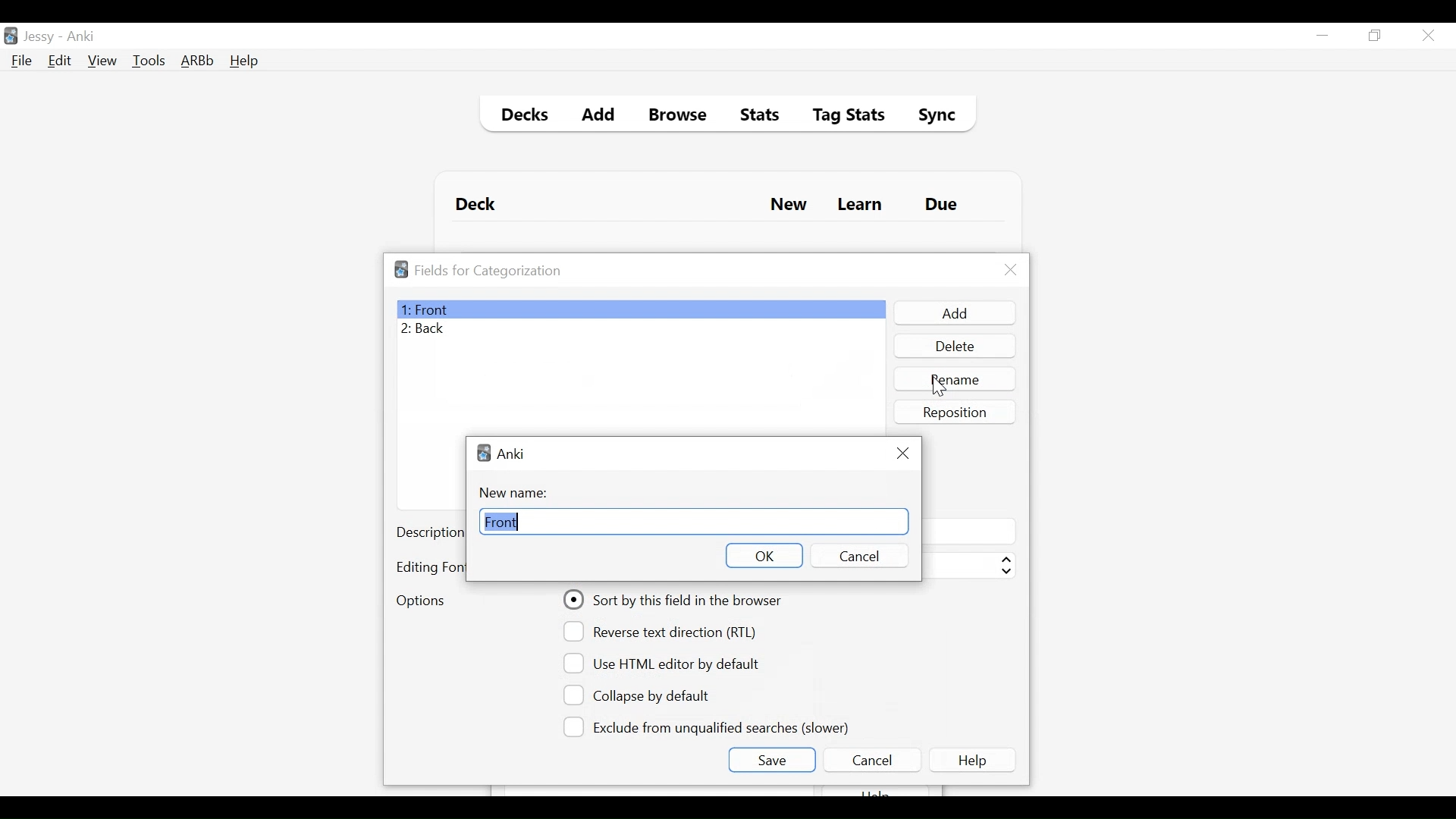  Describe the element at coordinates (401, 269) in the screenshot. I see `Application logo` at that location.